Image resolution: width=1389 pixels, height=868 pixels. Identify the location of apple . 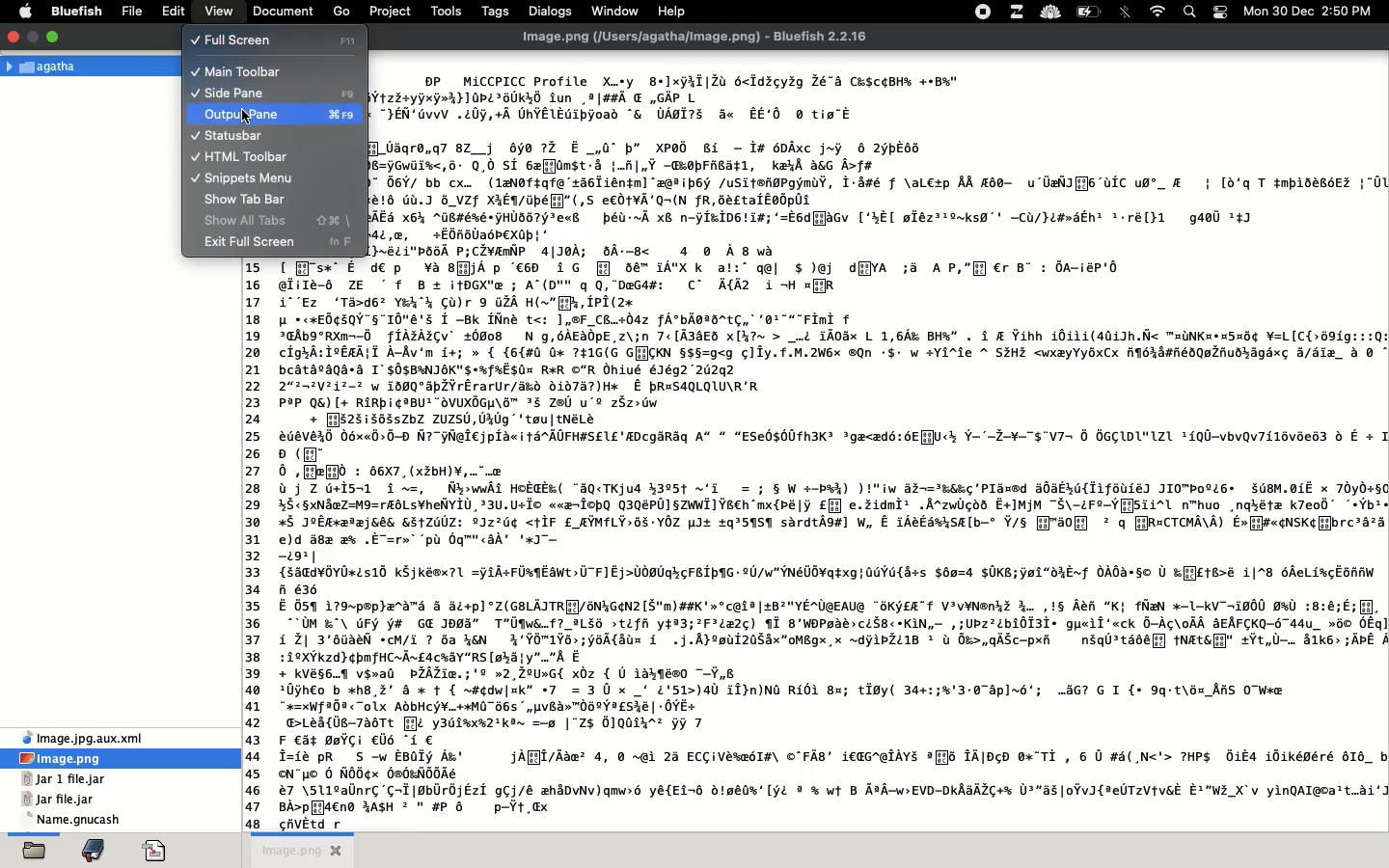
(26, 11).